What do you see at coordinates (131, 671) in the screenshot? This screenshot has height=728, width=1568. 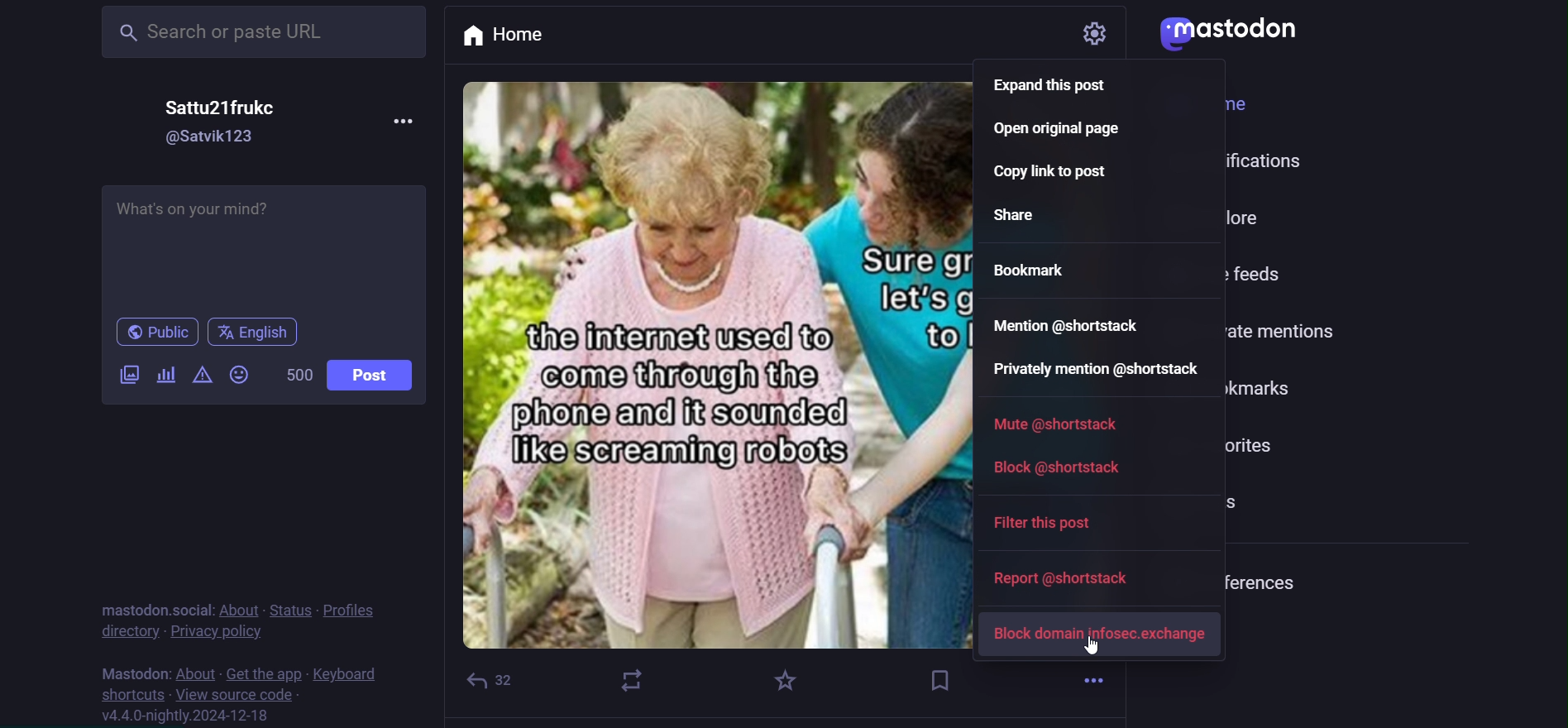 I see `mastodon` at bounding box center [131, 671].